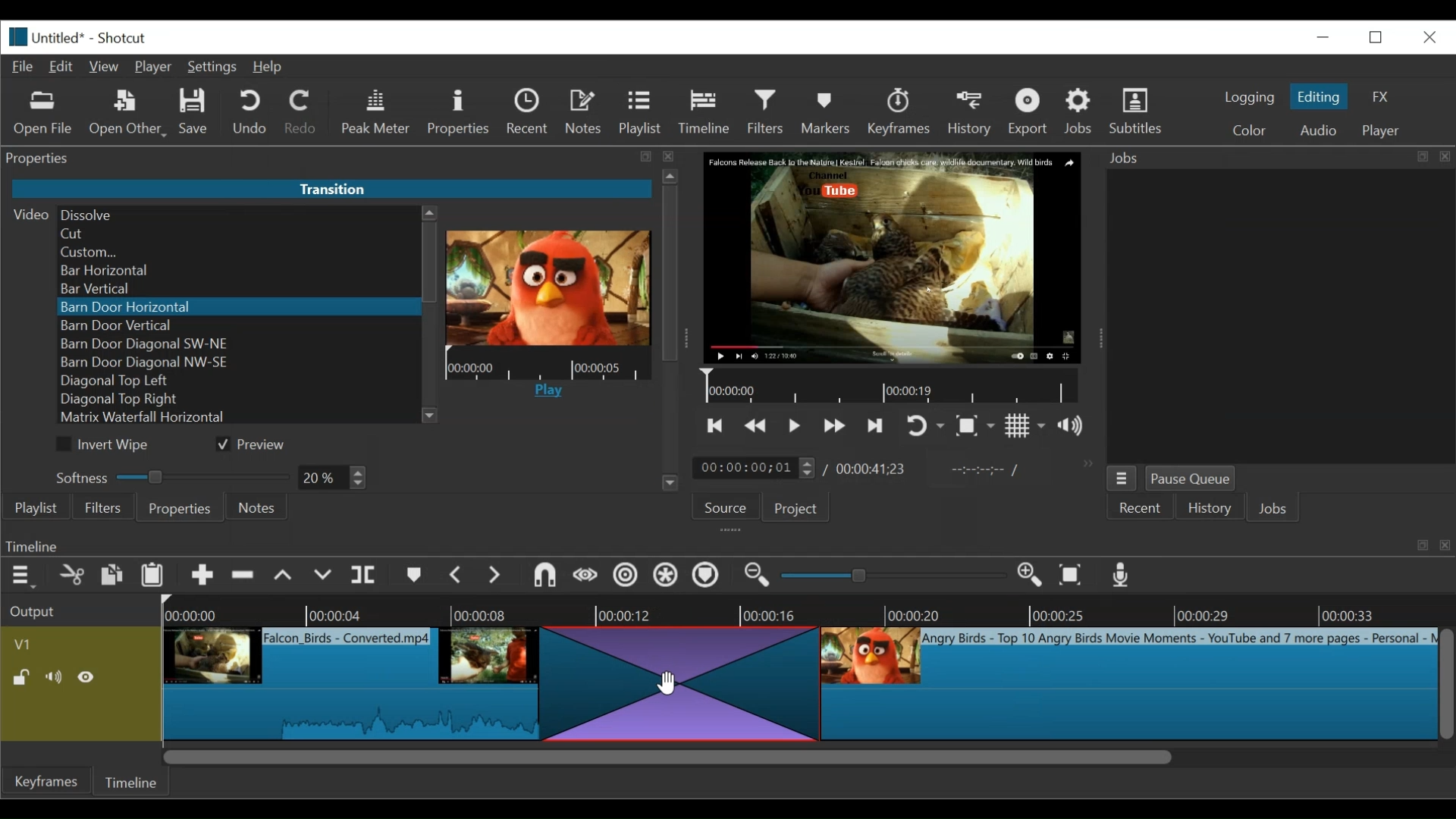 Image resolution: width=1456 pixels, height=819 pixels. Describe the element at coordinates (1075, 425) in the screenshot. I see `Show thevolume control` at that location.